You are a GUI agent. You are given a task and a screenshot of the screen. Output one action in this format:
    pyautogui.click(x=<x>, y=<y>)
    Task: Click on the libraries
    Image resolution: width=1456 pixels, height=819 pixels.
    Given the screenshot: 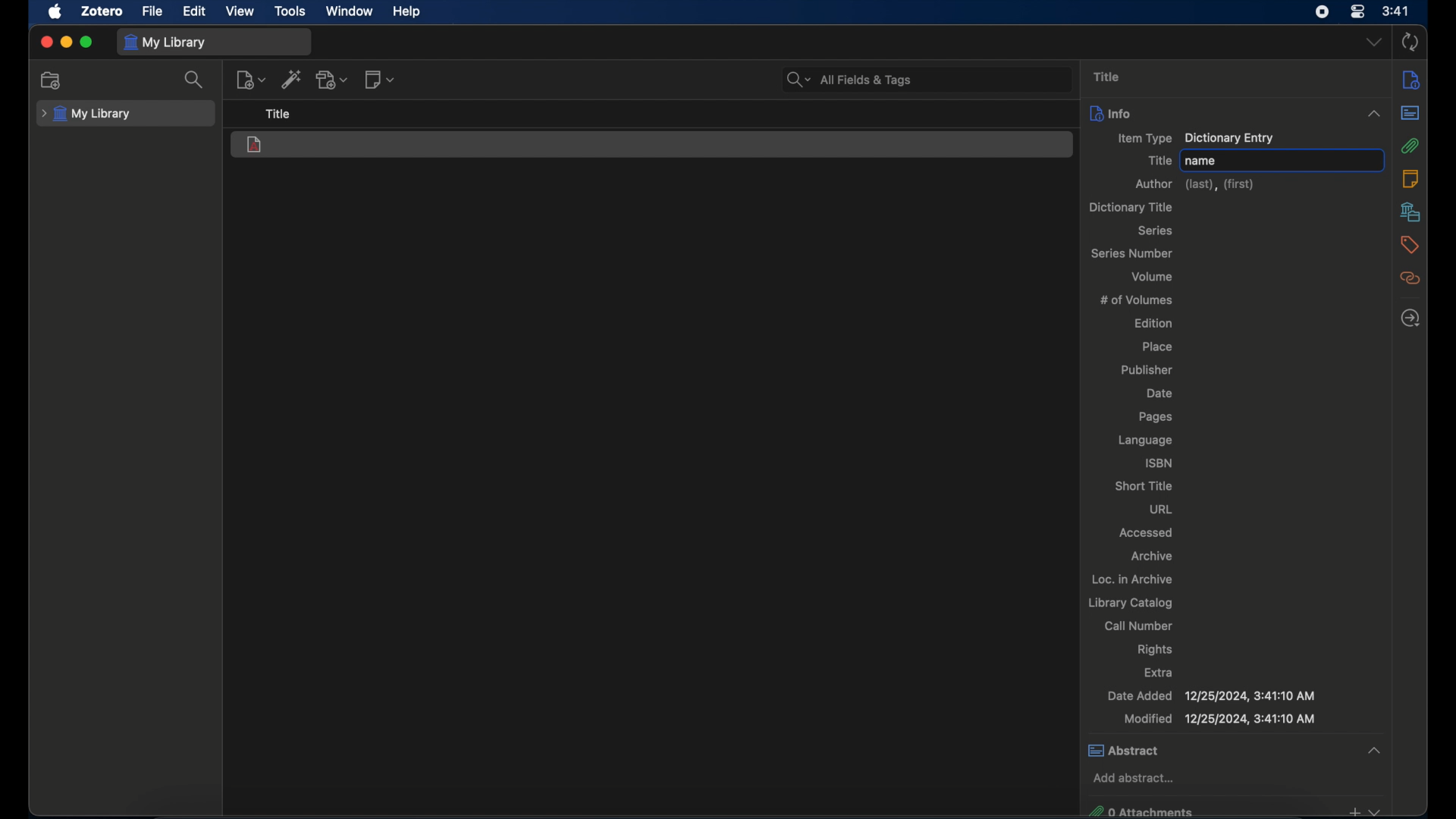 What is the action you would take?
    pyautogui.click(x=1411, y=212)
    